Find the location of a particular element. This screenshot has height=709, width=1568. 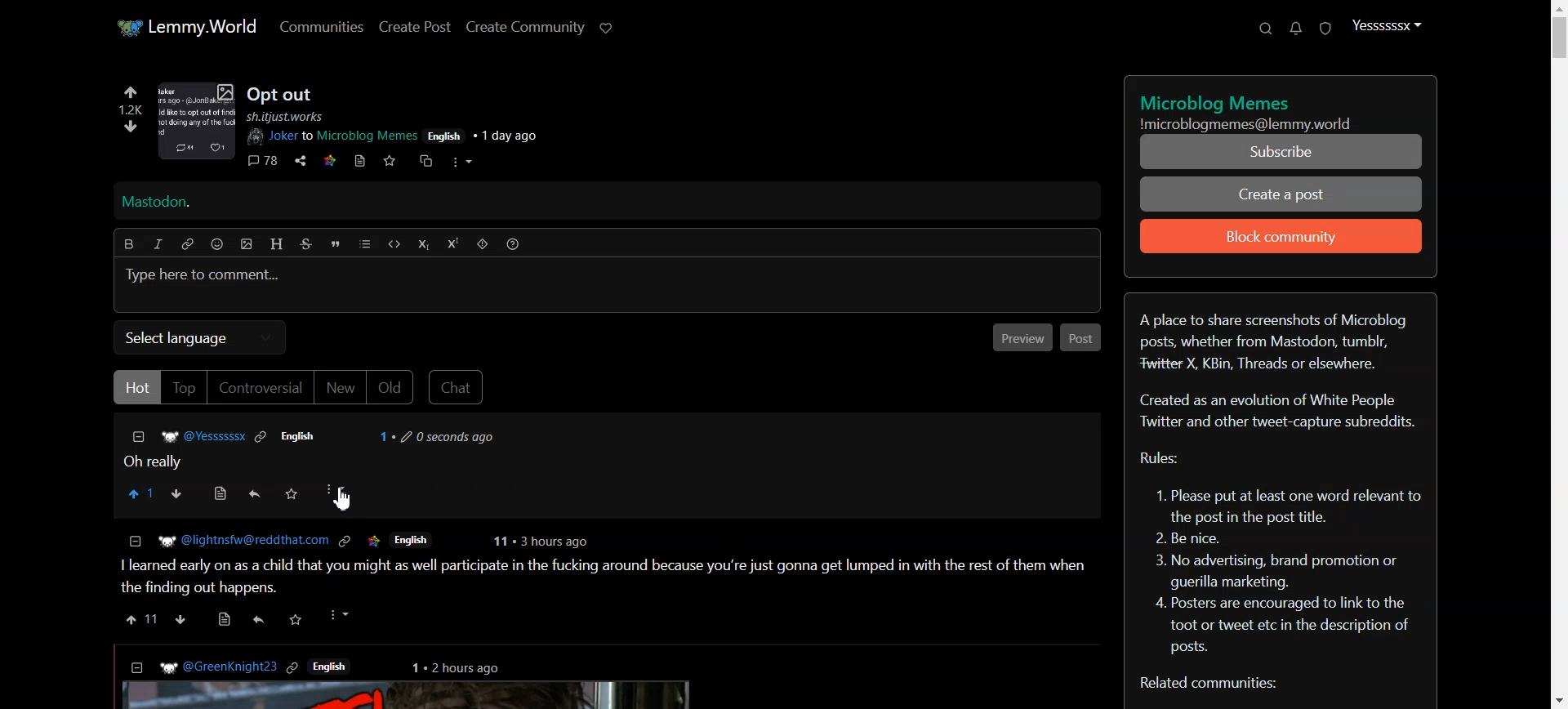

Save  is located at coordinates (292, 493).